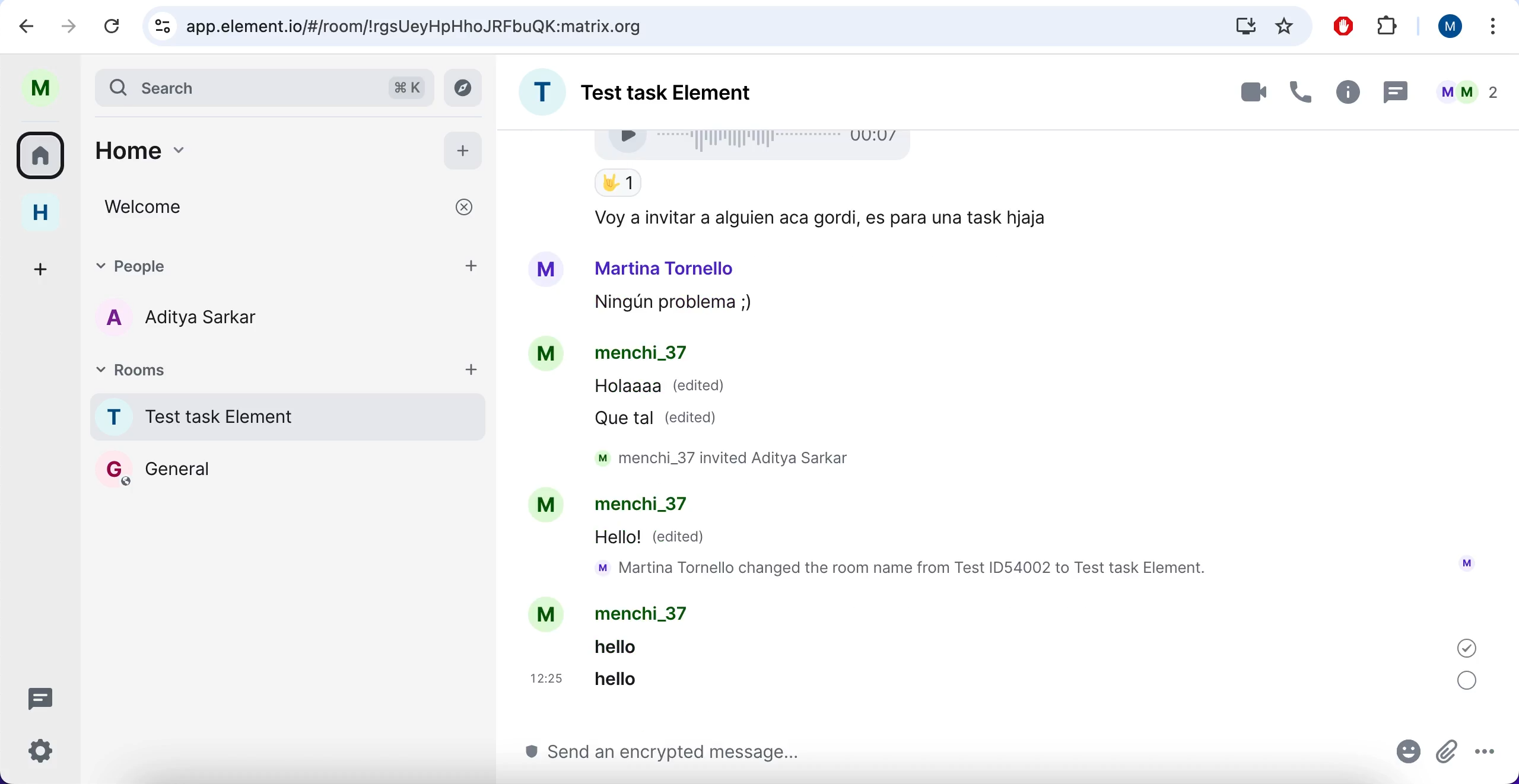 The image size is (1519, 784). Describe the element at coordinates (473, 264) in the screenshot. I see `add` at that location.